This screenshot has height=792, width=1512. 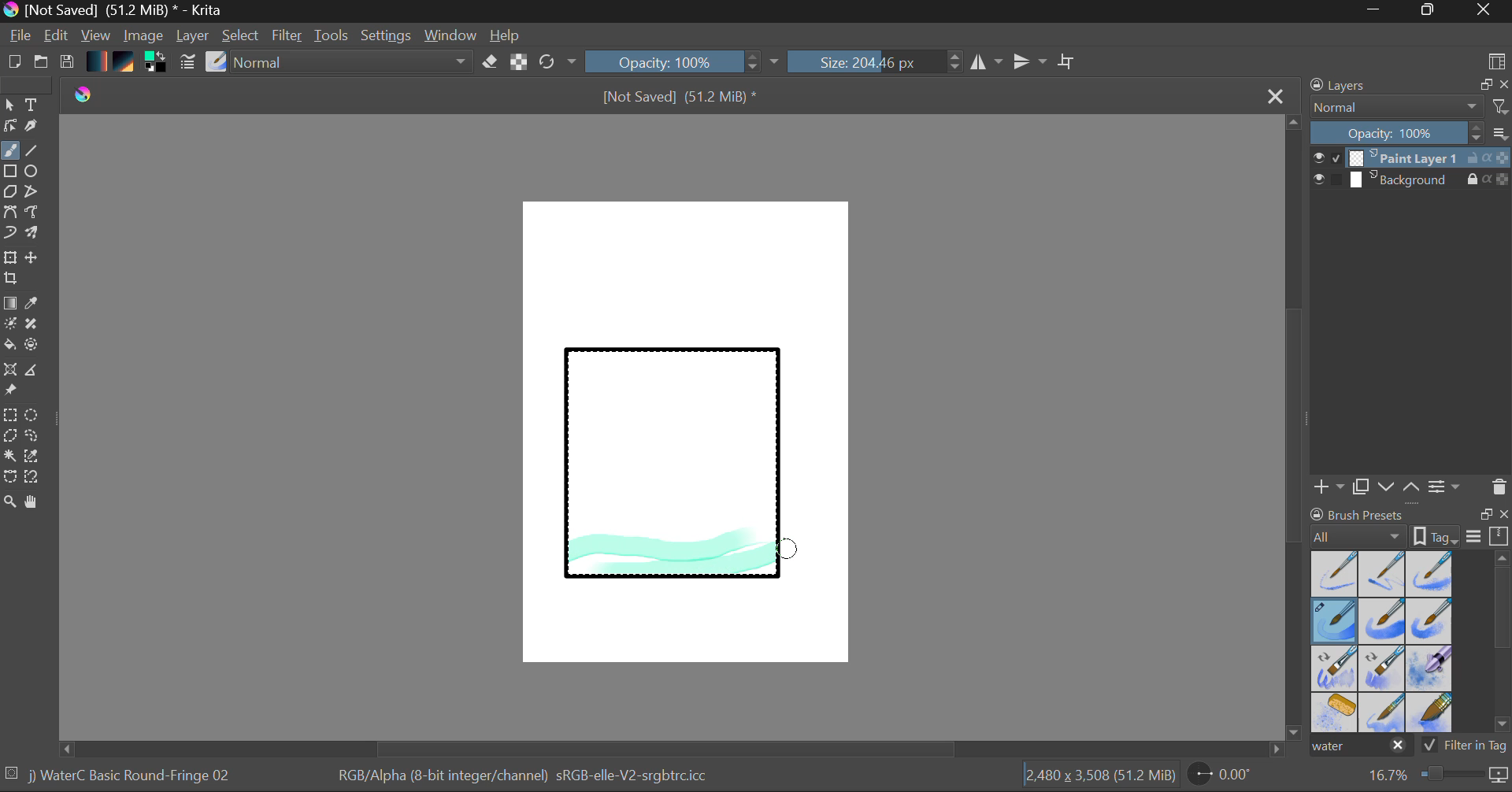 What do you see at coordinates (1429, 574) in the screenshot?
I see `Water C - Wet Pattern` at bounding box center [1429, 574].